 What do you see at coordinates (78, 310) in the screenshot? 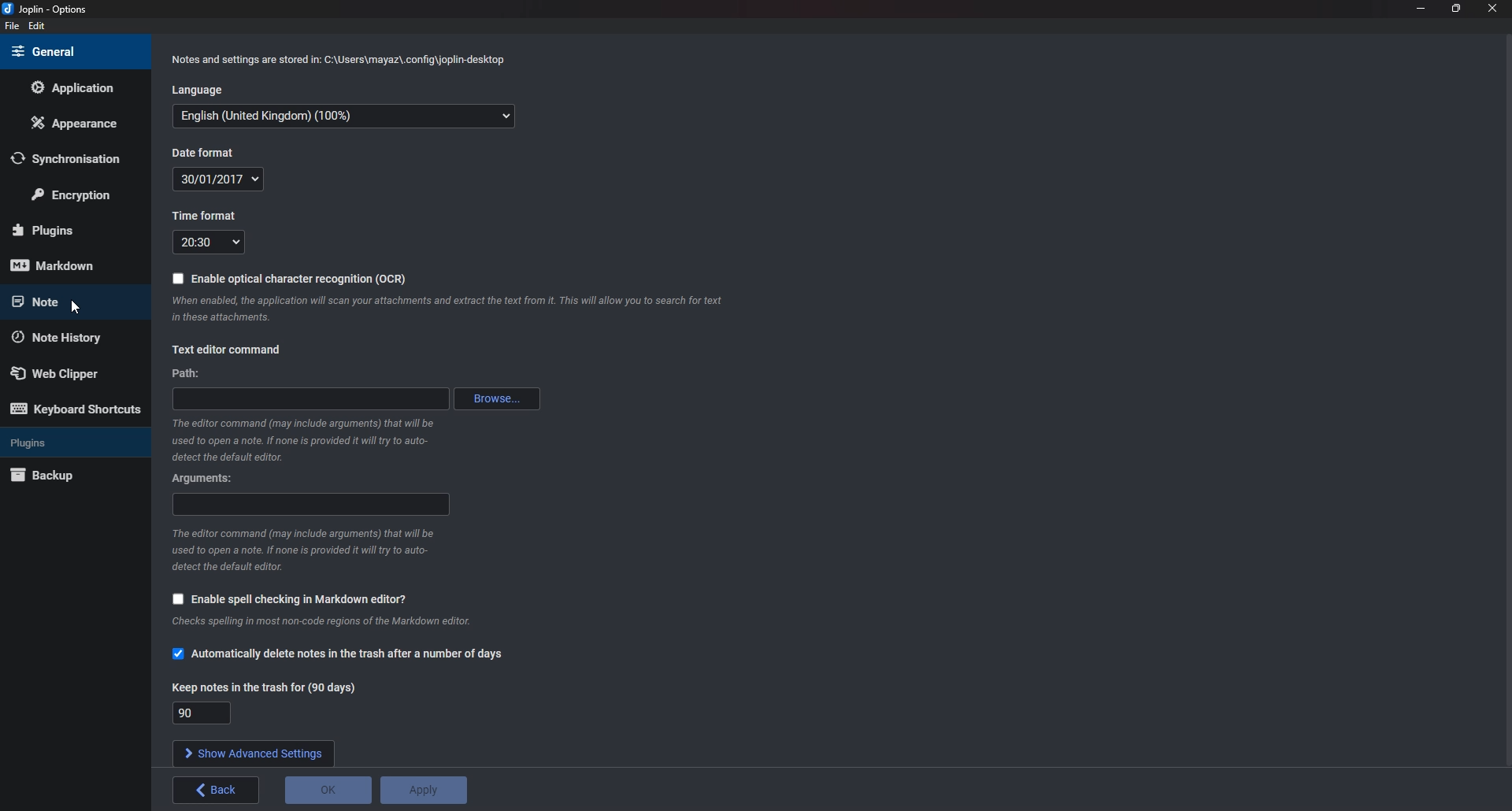
I see `cursor` at bounding box center [78, 310].